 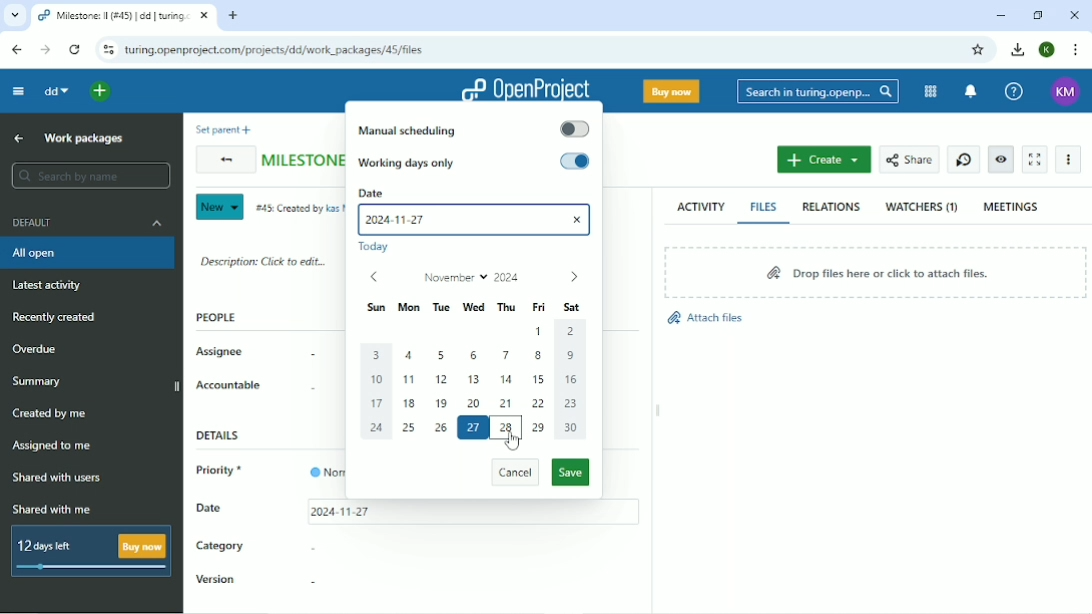 What do you see at coordinates (47, 51) in the screenshot?
I see `Forward` at bounding box center [47, 51].